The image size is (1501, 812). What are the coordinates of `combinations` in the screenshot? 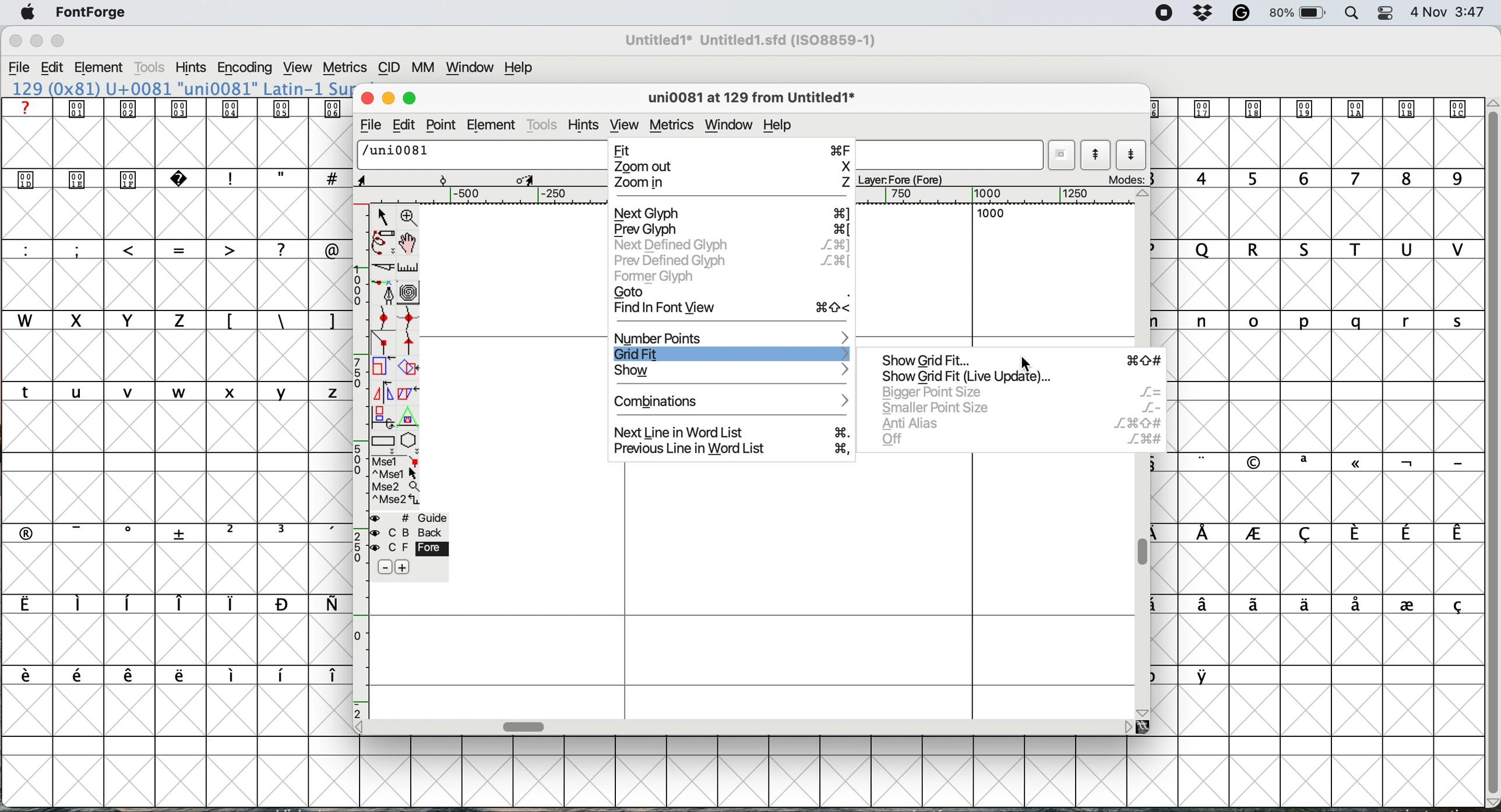 It's located at (735, 400).